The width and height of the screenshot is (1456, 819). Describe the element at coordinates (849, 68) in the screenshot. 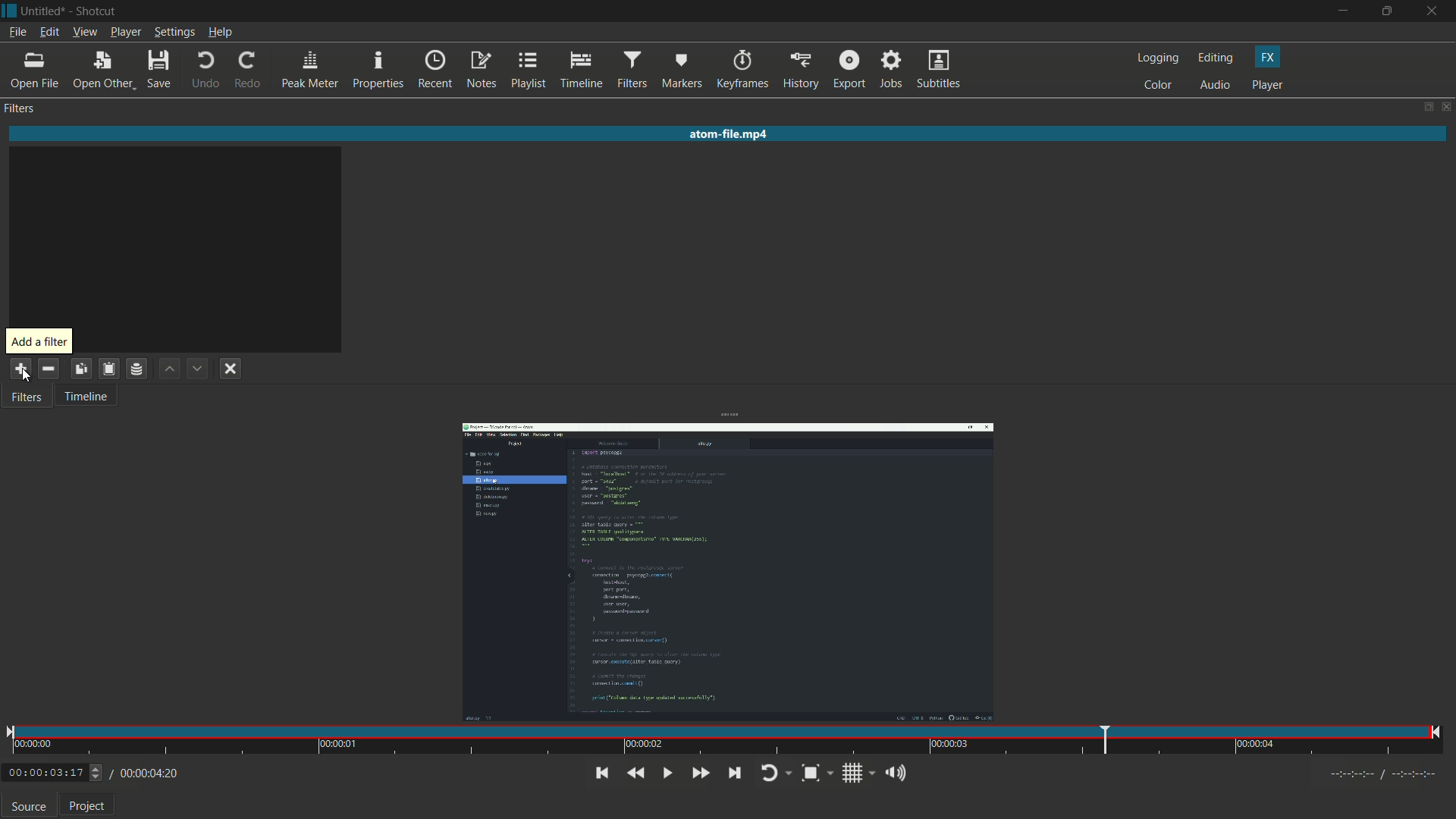

I see `export` at that location.